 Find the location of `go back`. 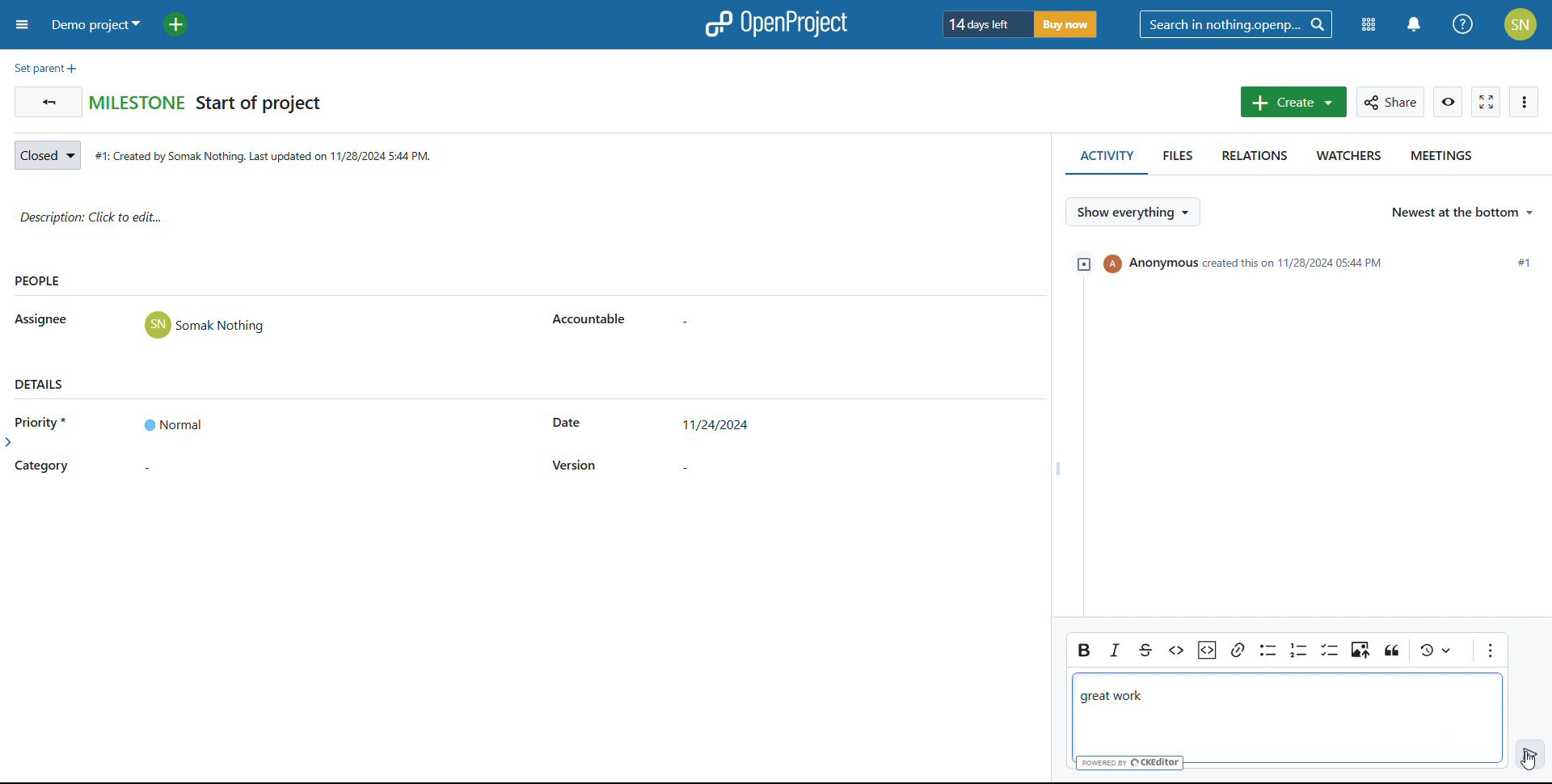

go back is located at coordinates (48, 102).